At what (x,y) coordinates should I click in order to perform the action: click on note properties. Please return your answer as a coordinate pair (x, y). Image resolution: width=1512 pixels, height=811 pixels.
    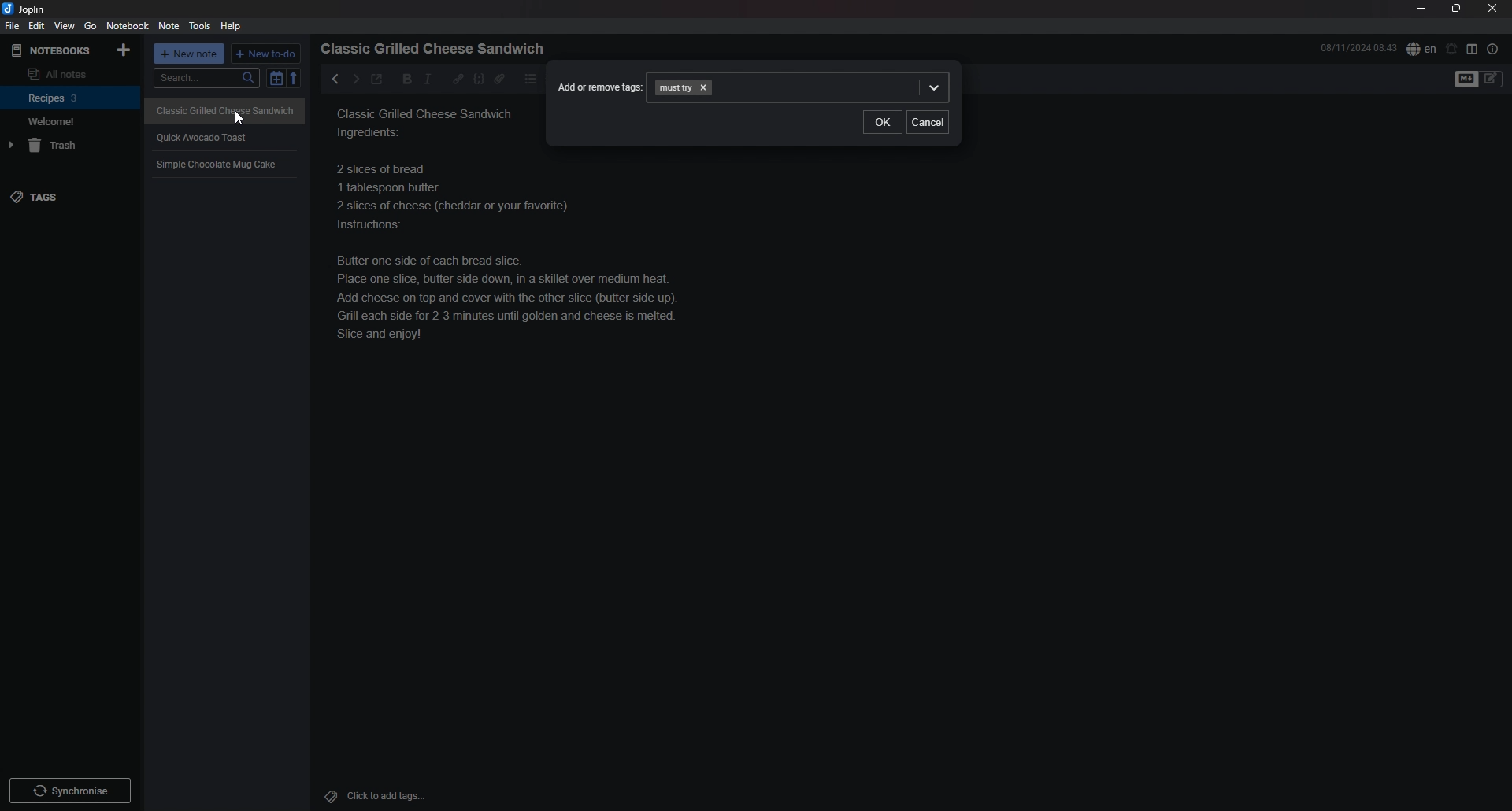
    Looking at the image, I should click on (1493, 49).